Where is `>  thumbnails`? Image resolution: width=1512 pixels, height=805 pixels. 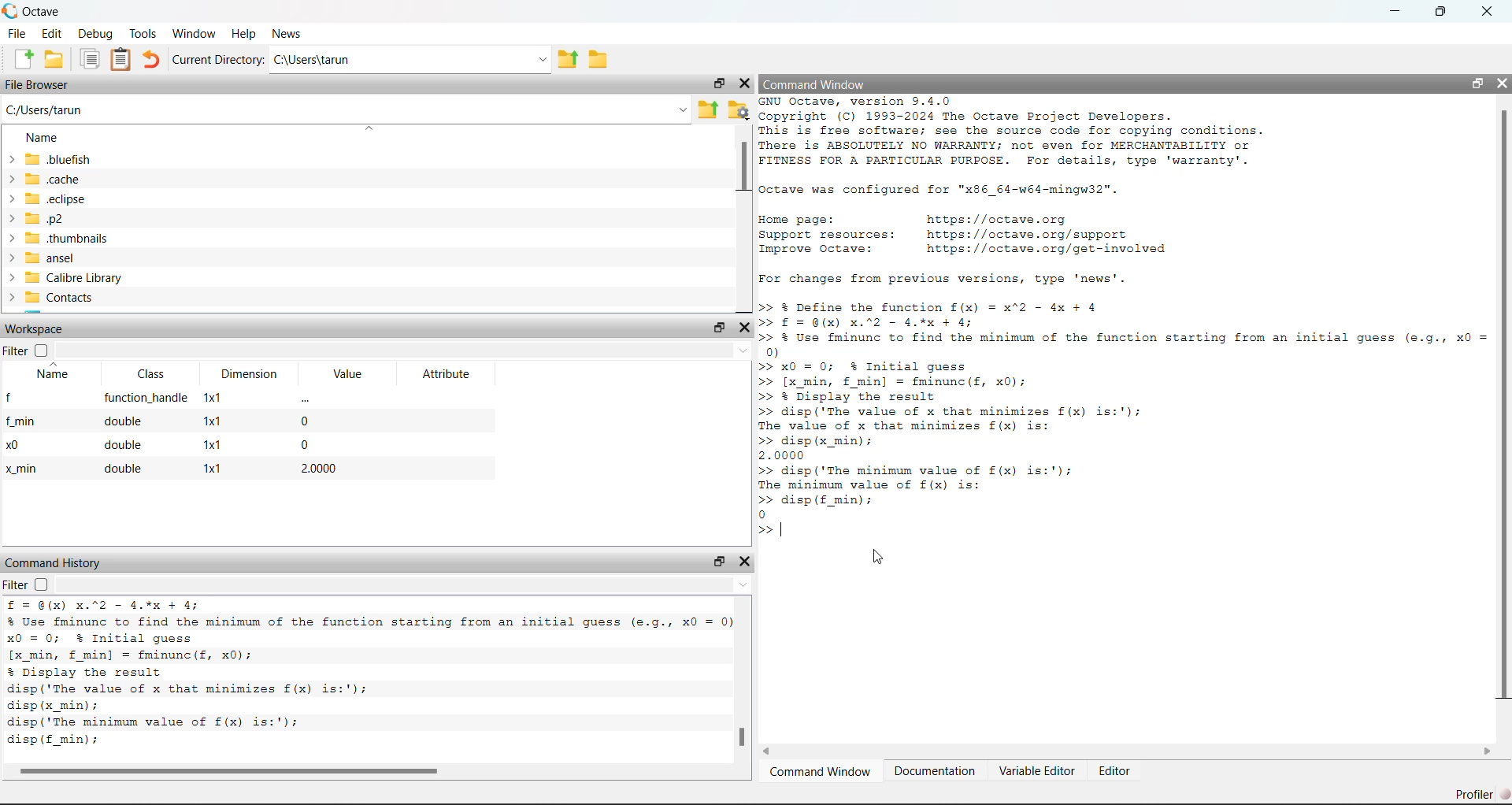
>  thumbnails is located at coordinates (68, 237).